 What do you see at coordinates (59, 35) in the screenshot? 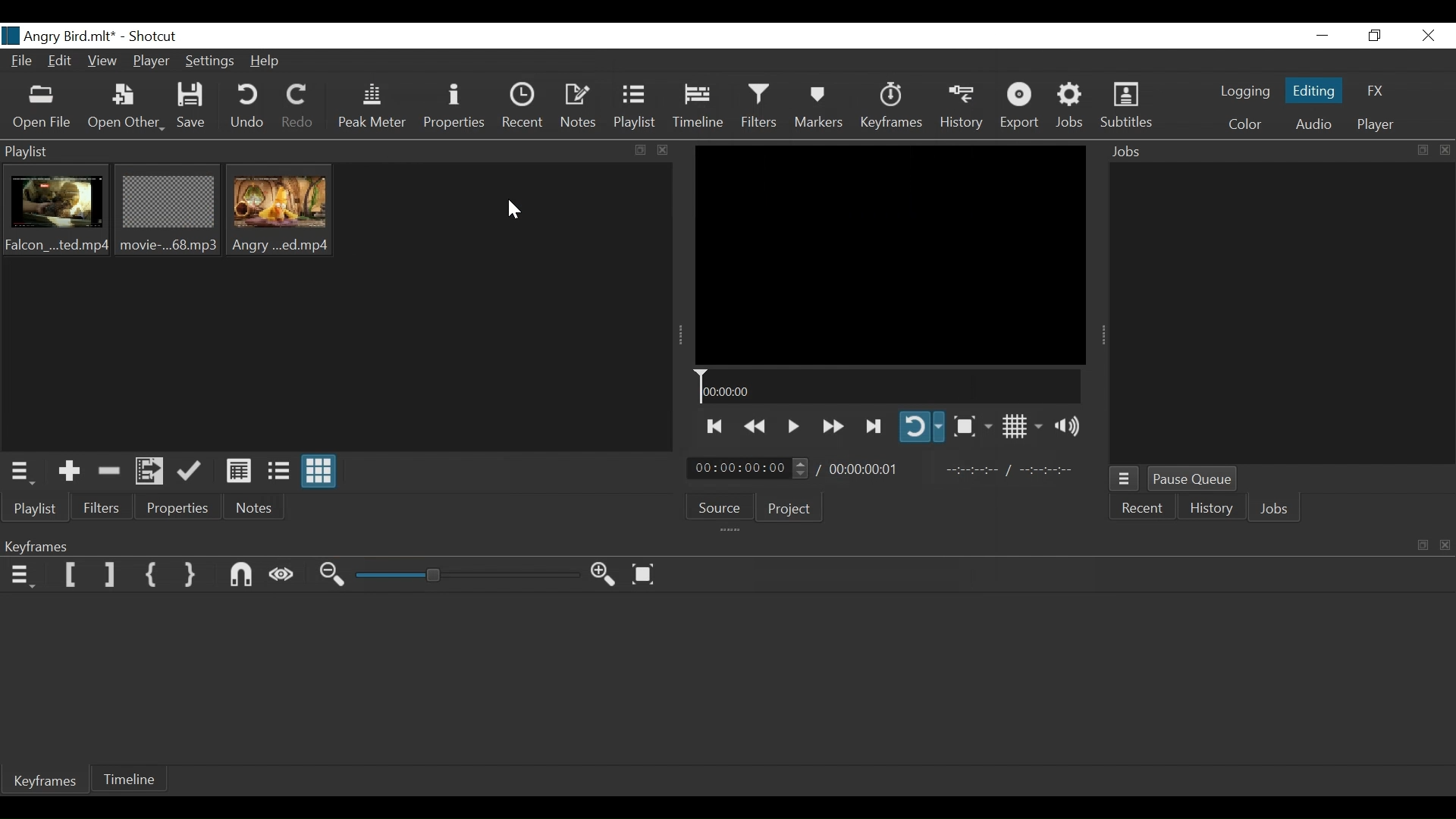
I see `File Name` at bounding box center [59, 35].